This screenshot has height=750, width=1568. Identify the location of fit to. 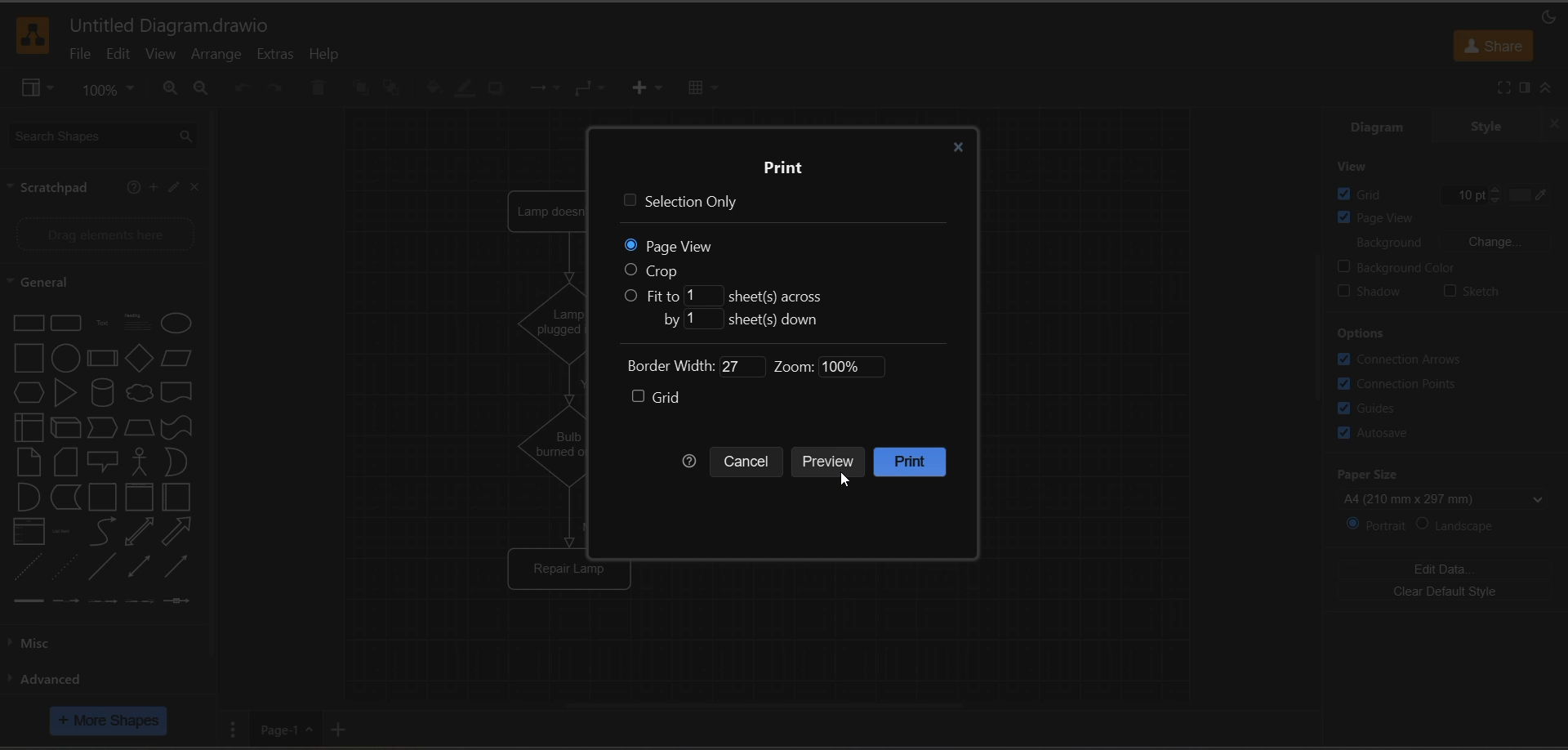
(728, 294).